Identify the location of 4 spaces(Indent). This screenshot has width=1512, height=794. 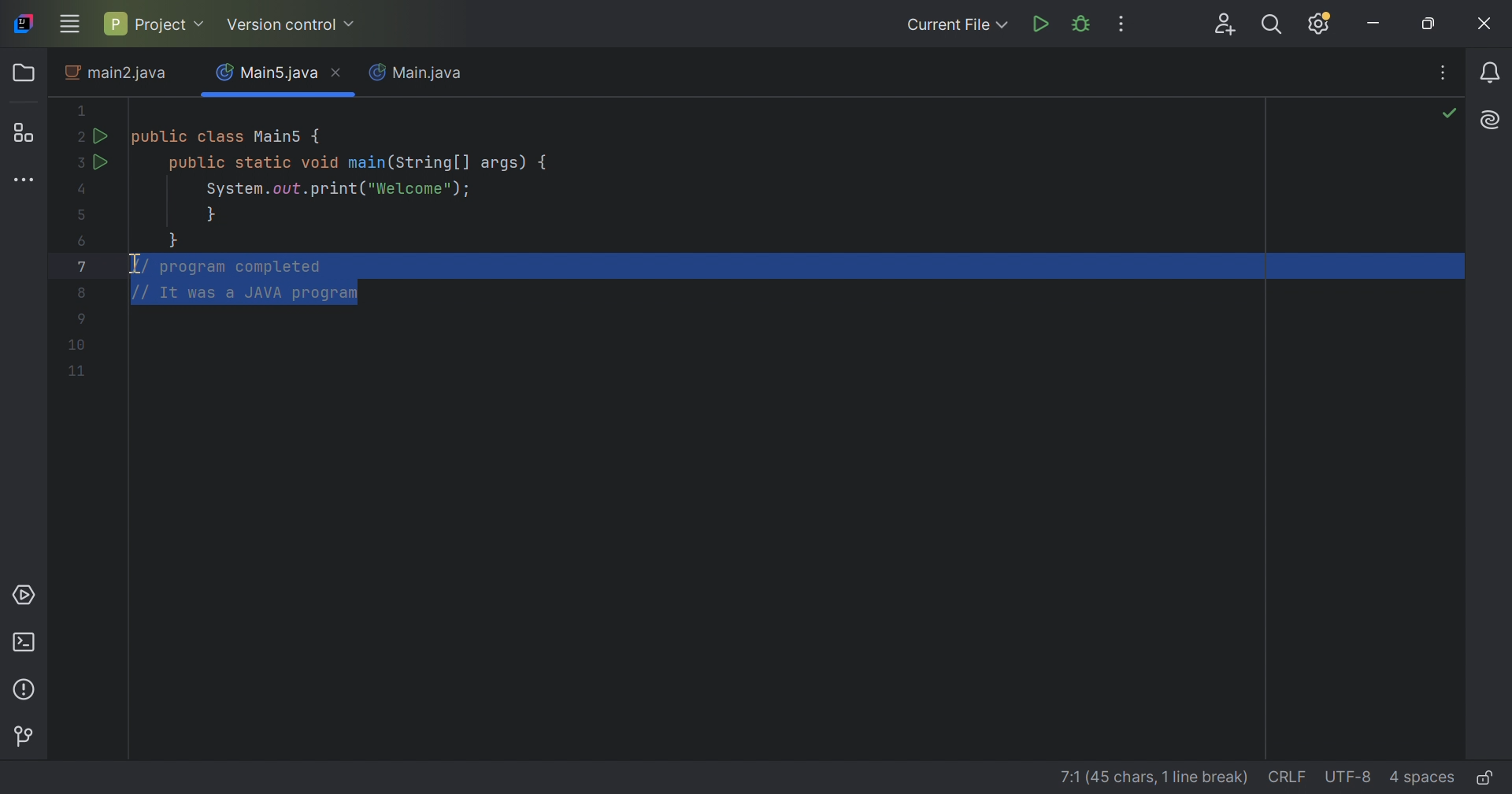
(1422, 776).